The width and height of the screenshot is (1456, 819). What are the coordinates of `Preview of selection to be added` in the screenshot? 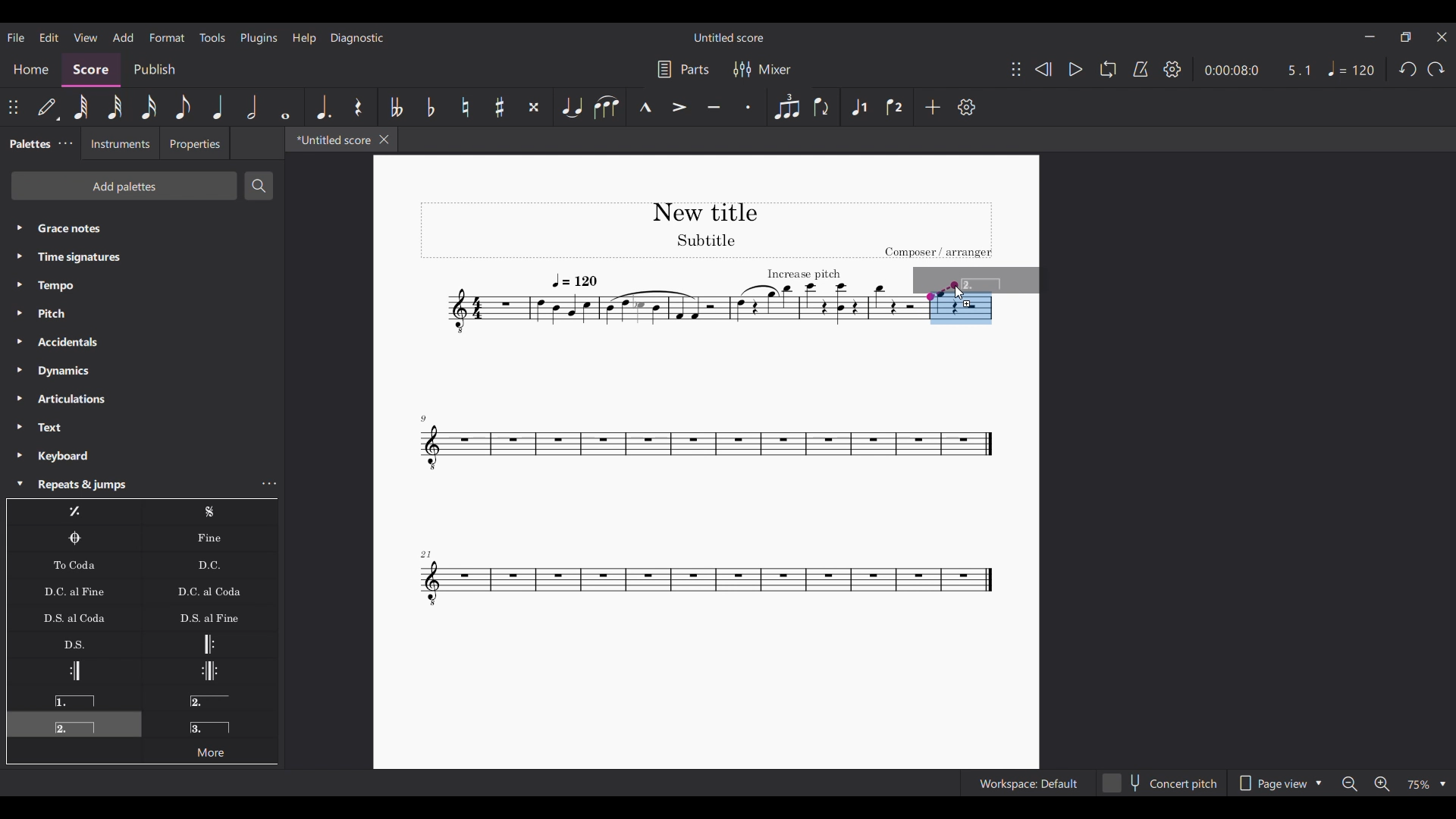 It's located at (999, 280).